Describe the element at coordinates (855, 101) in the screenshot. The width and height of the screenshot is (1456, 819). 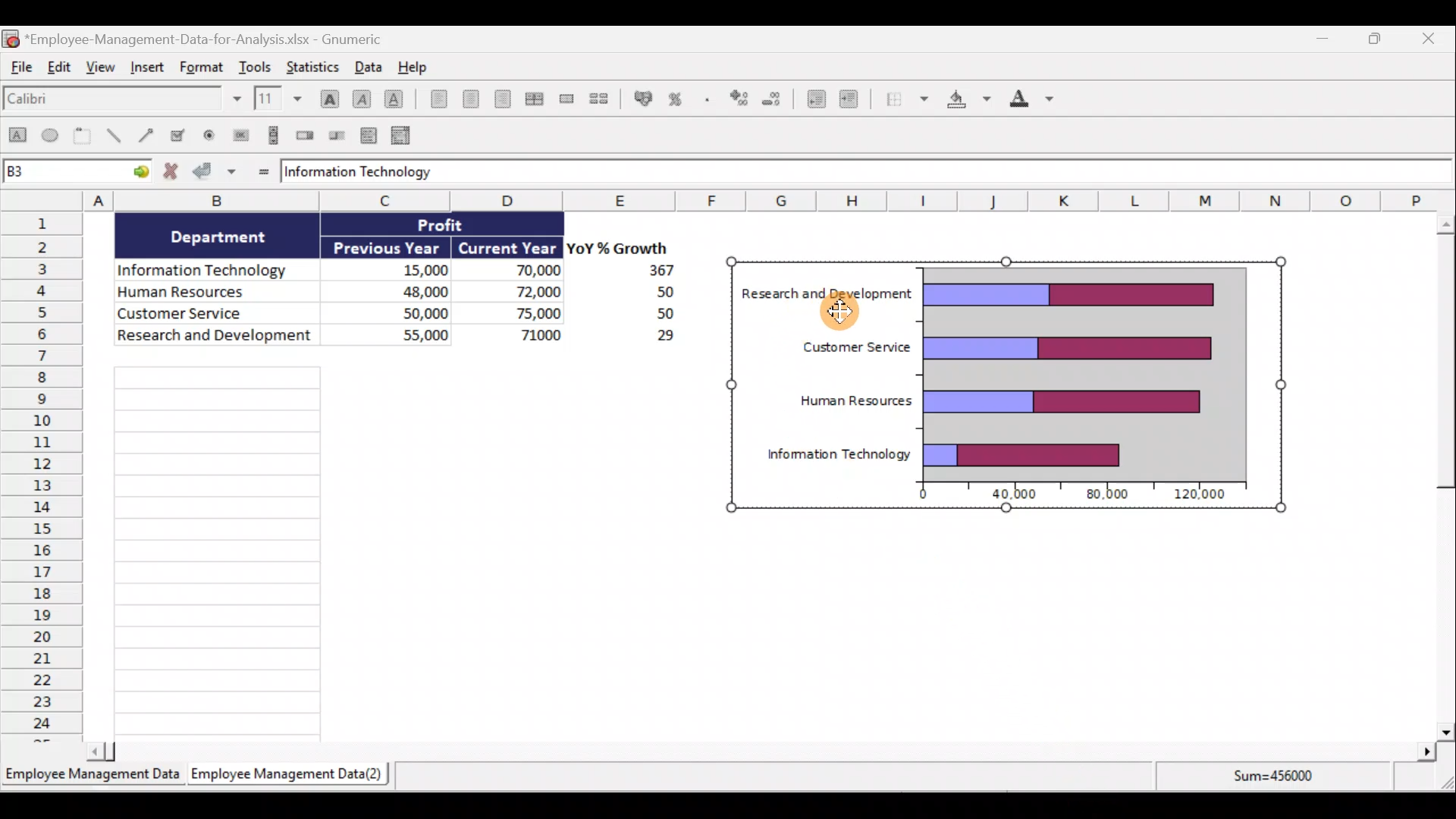
I see `Increase indent, align contents to the left` at that location.